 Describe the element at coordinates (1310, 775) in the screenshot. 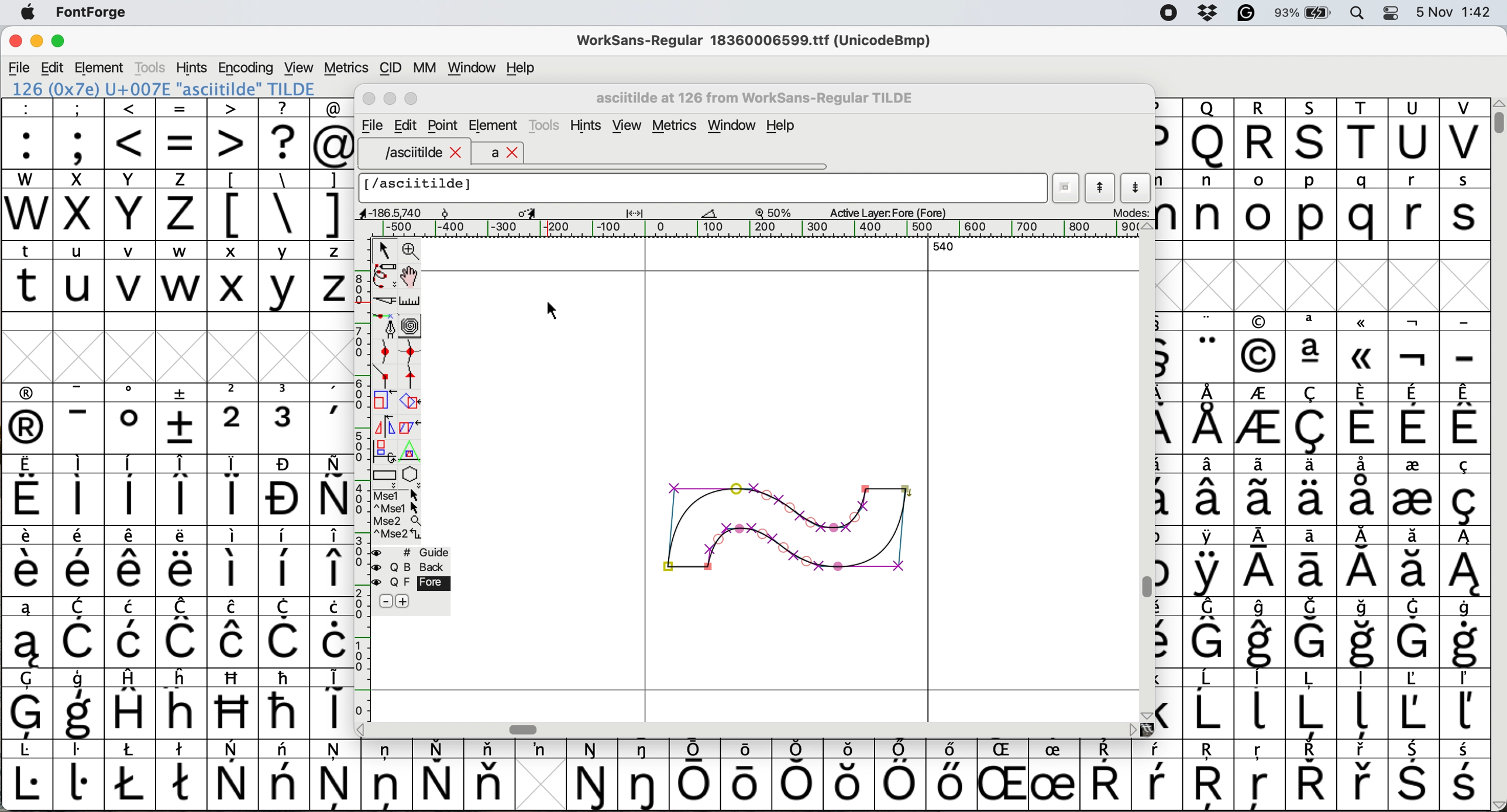

I see `symbol` at that location.